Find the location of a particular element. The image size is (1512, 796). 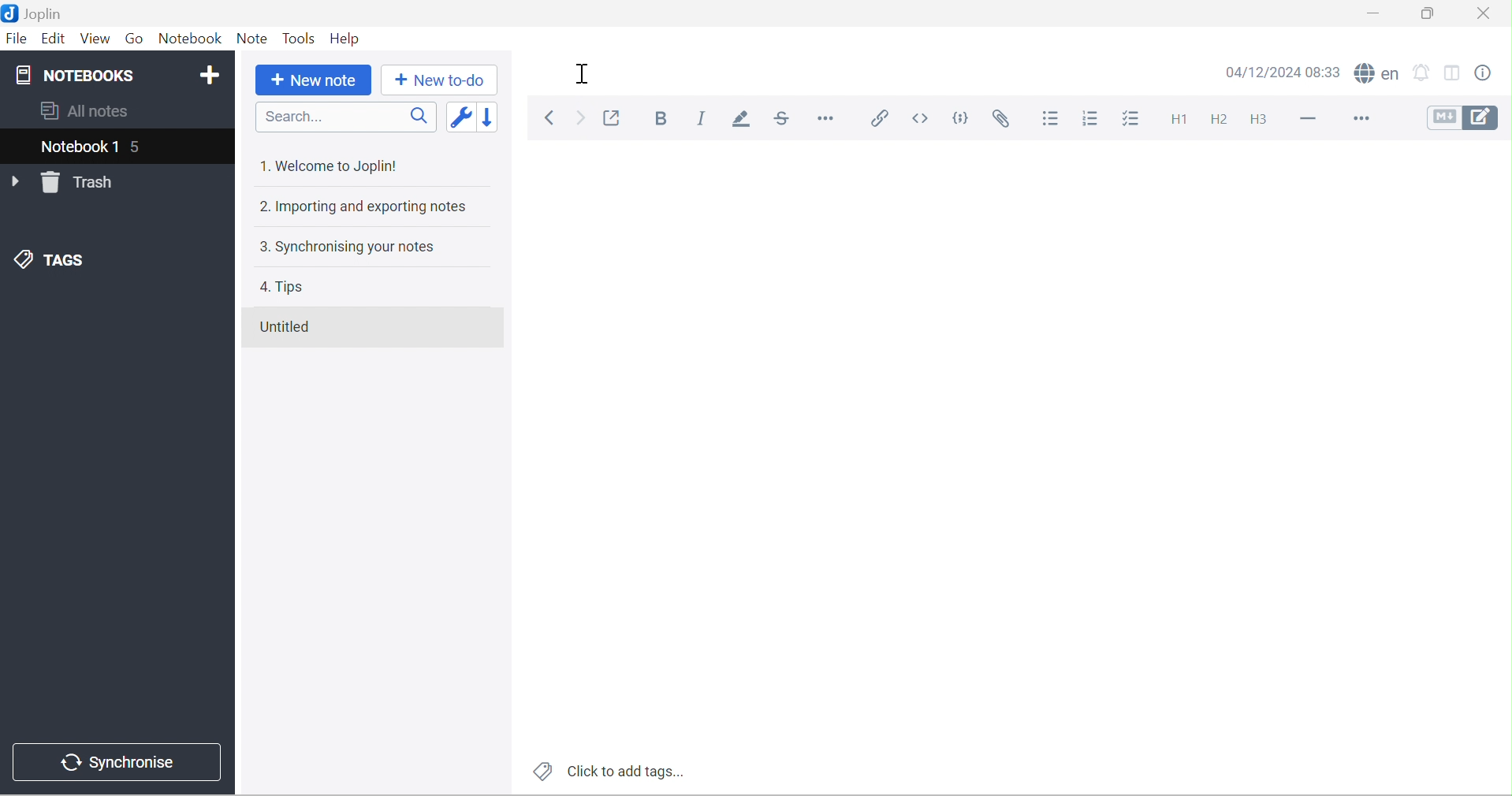

2. Importing and exporting notes is located at coordinates (367, 208).